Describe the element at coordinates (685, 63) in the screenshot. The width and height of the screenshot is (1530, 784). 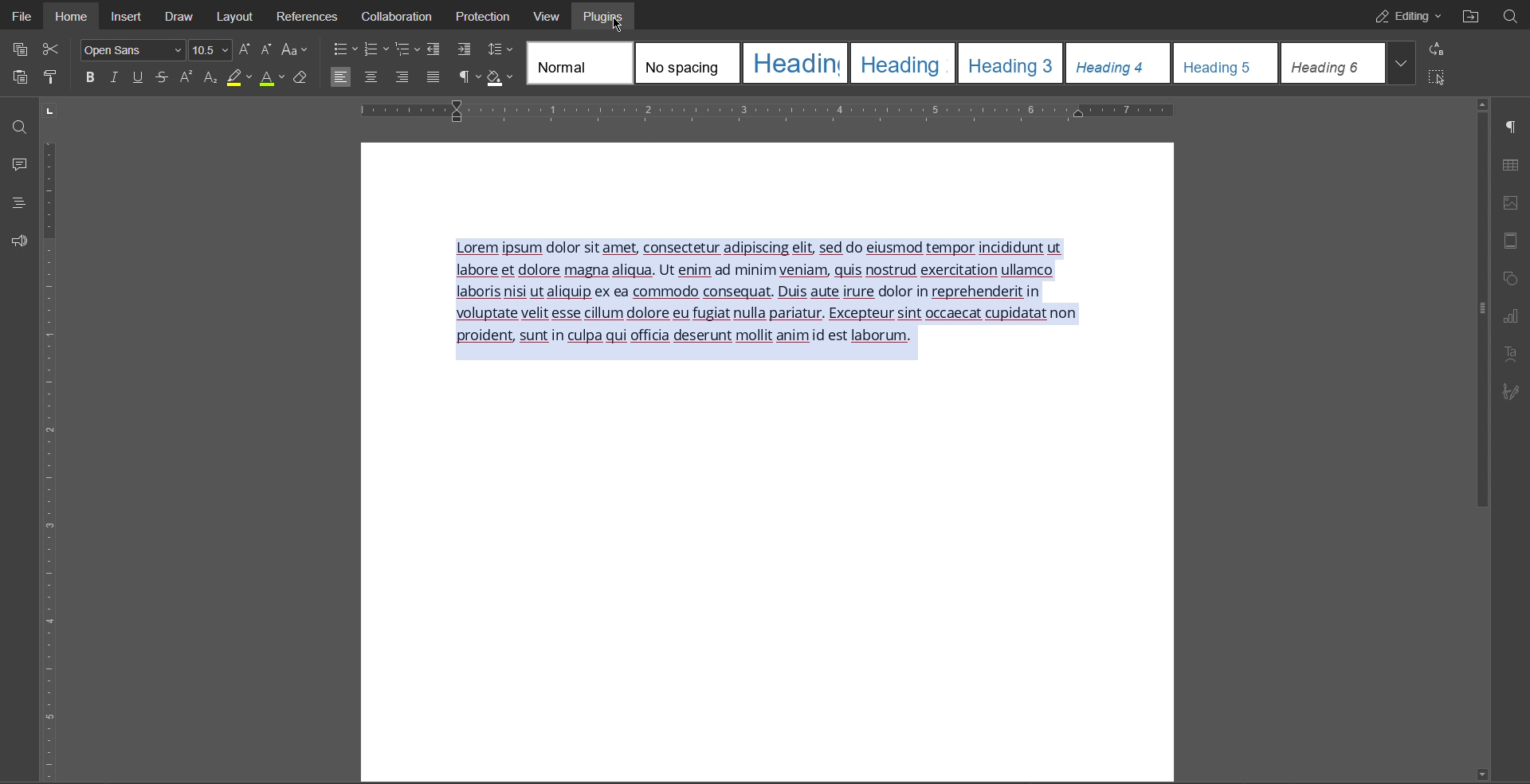
I see `No Spacing` at that location.